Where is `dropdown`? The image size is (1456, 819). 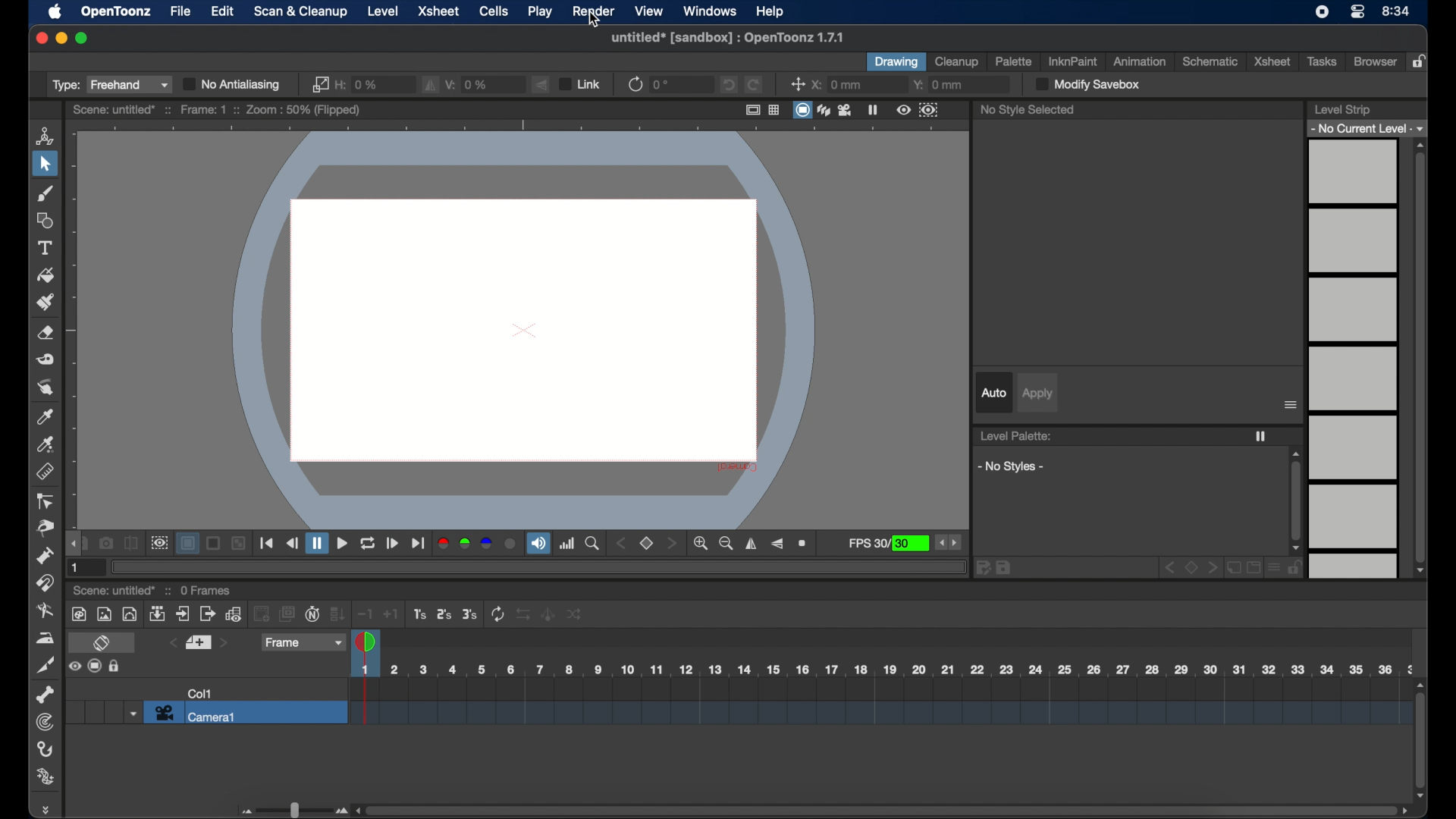 dropdown is located at coordinates (131, 713).